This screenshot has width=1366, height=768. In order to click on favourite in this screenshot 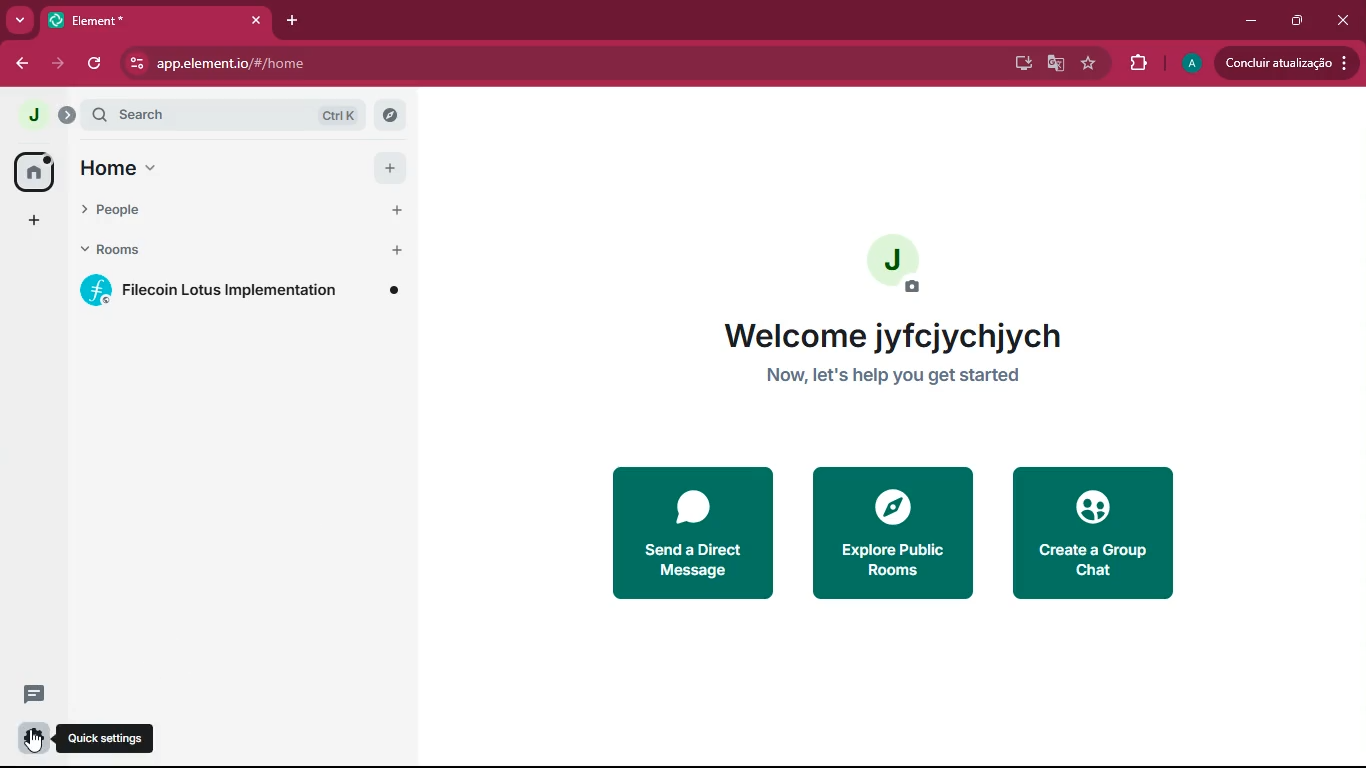, I will do `click(1088, 65)`.